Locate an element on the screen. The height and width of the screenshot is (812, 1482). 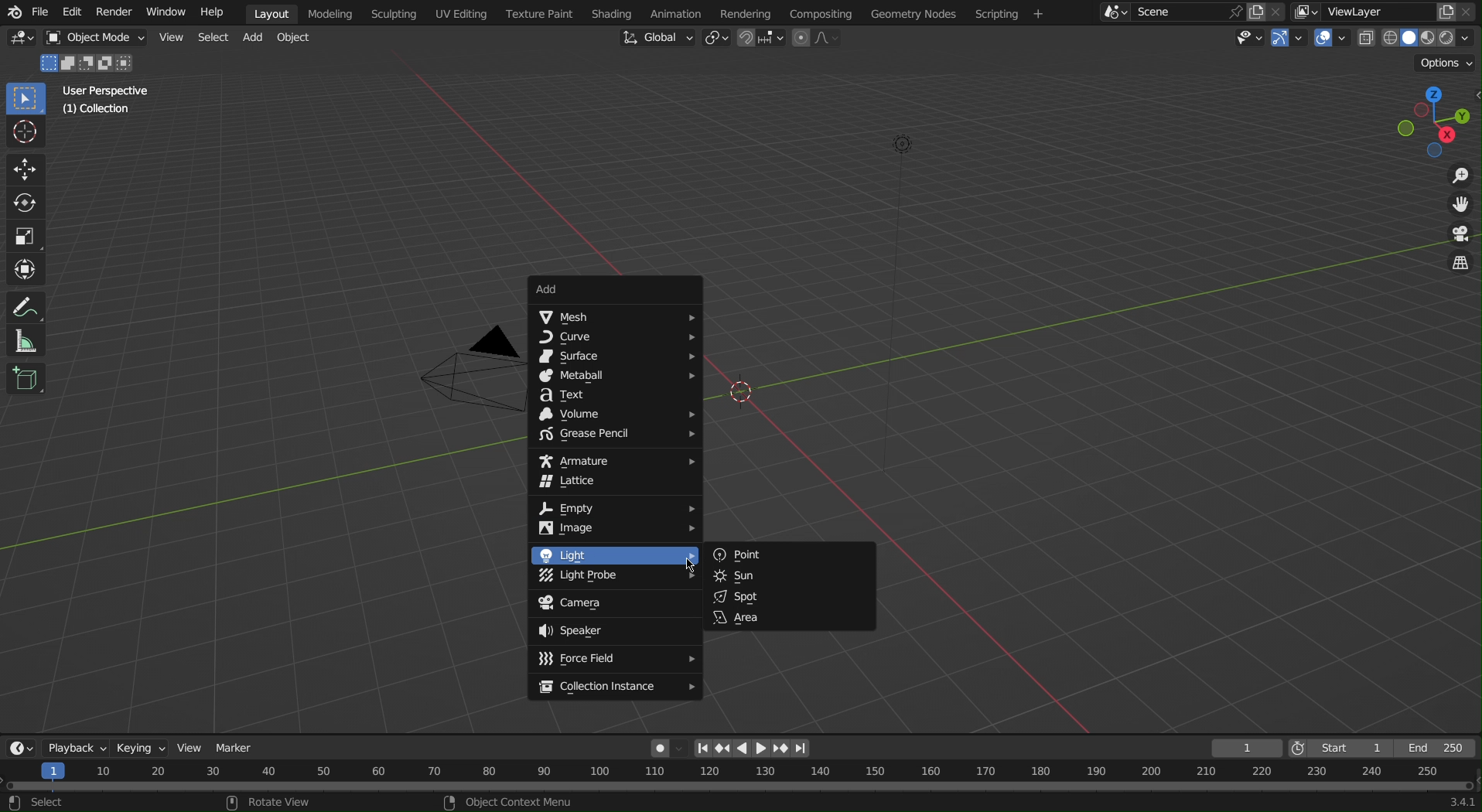
Sculpting is located at coordinates (394, 13).